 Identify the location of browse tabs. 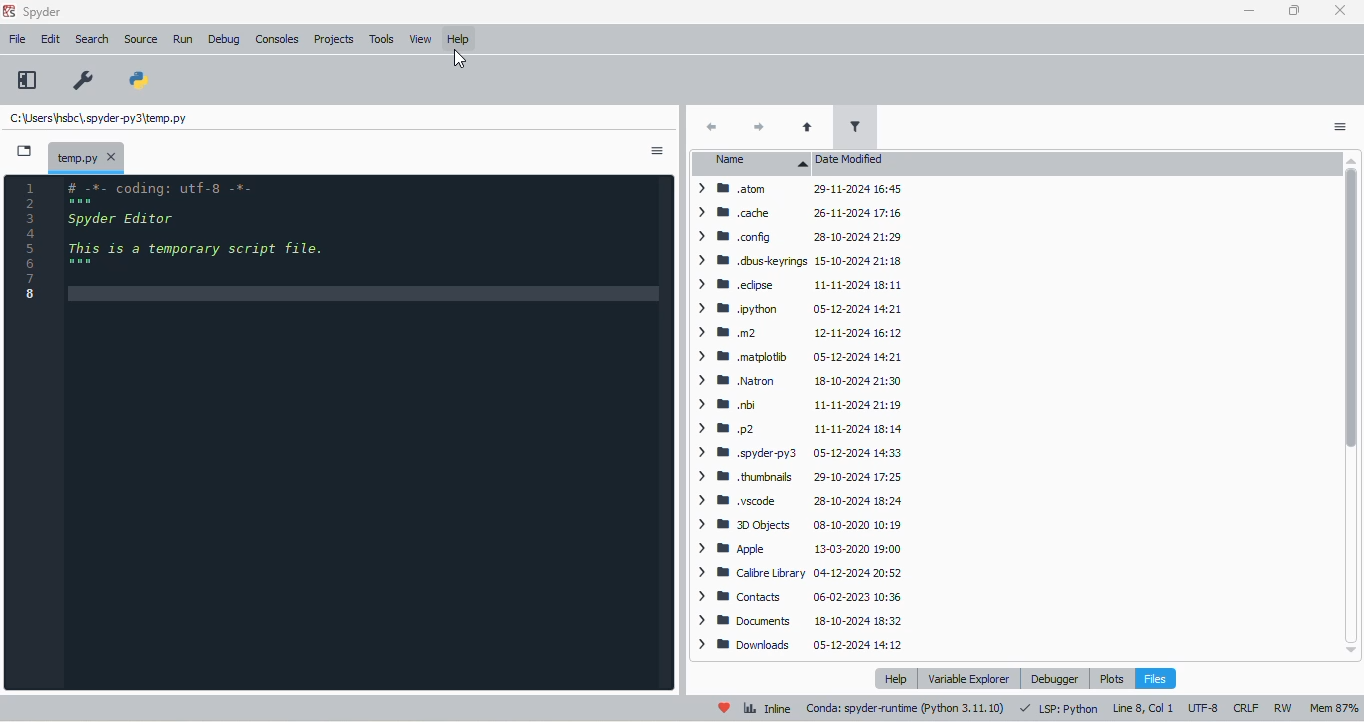
(24, 151).